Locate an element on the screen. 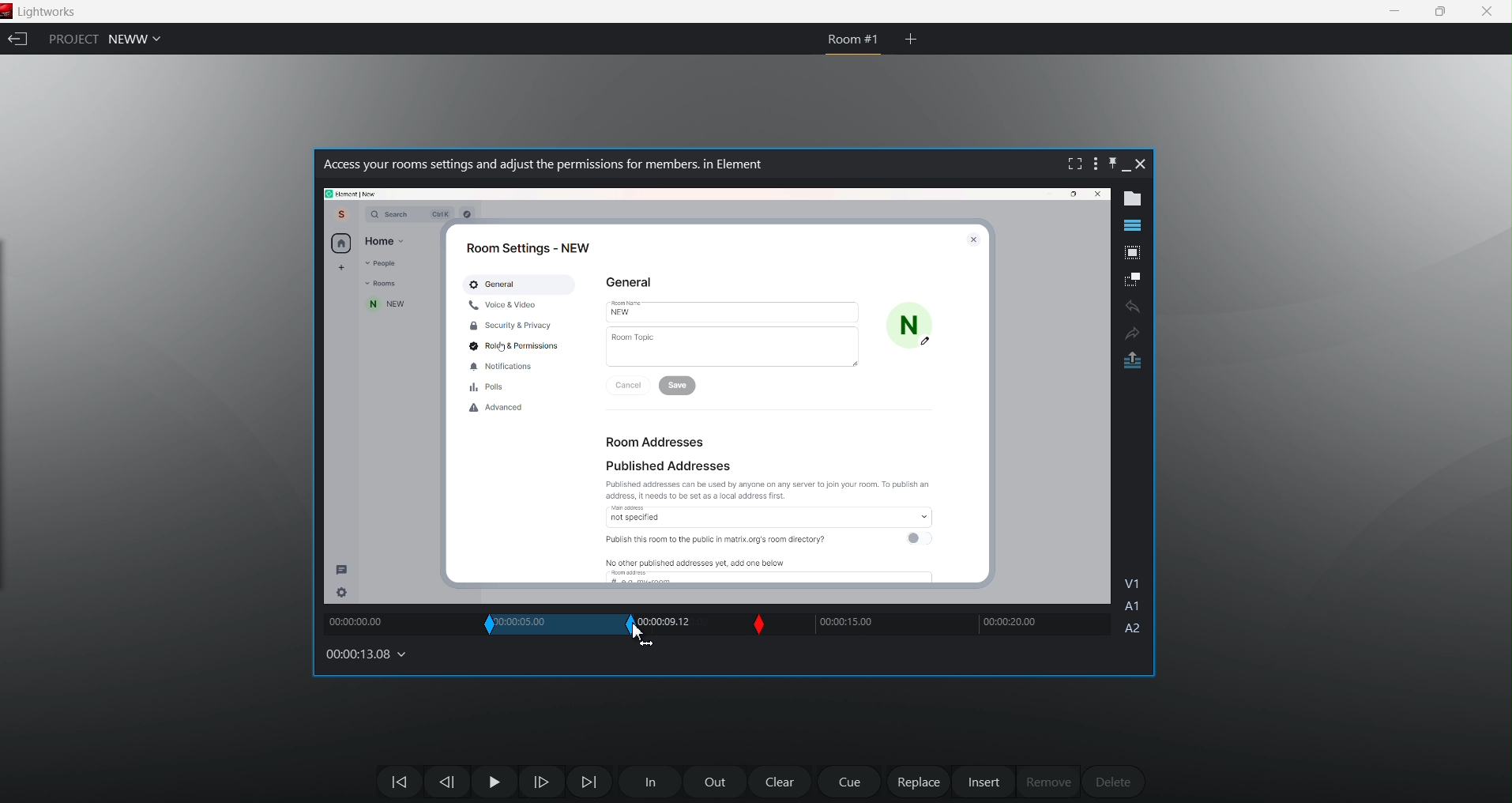 This screenshot has width=1512, height=803. replace is located at coordinates (914, 780).